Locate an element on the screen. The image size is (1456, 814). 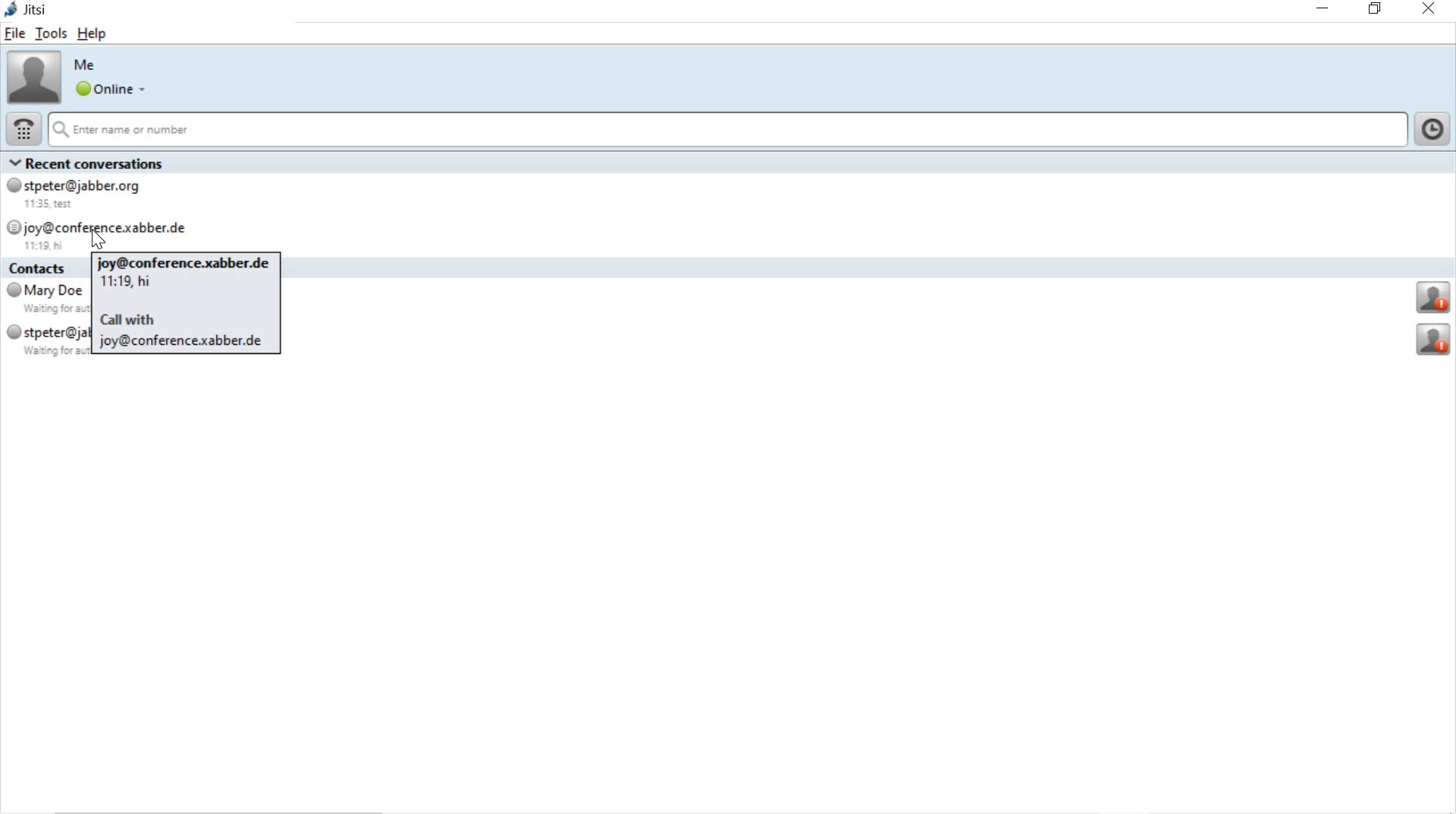
minimize is located at coordinates (1325, 8).